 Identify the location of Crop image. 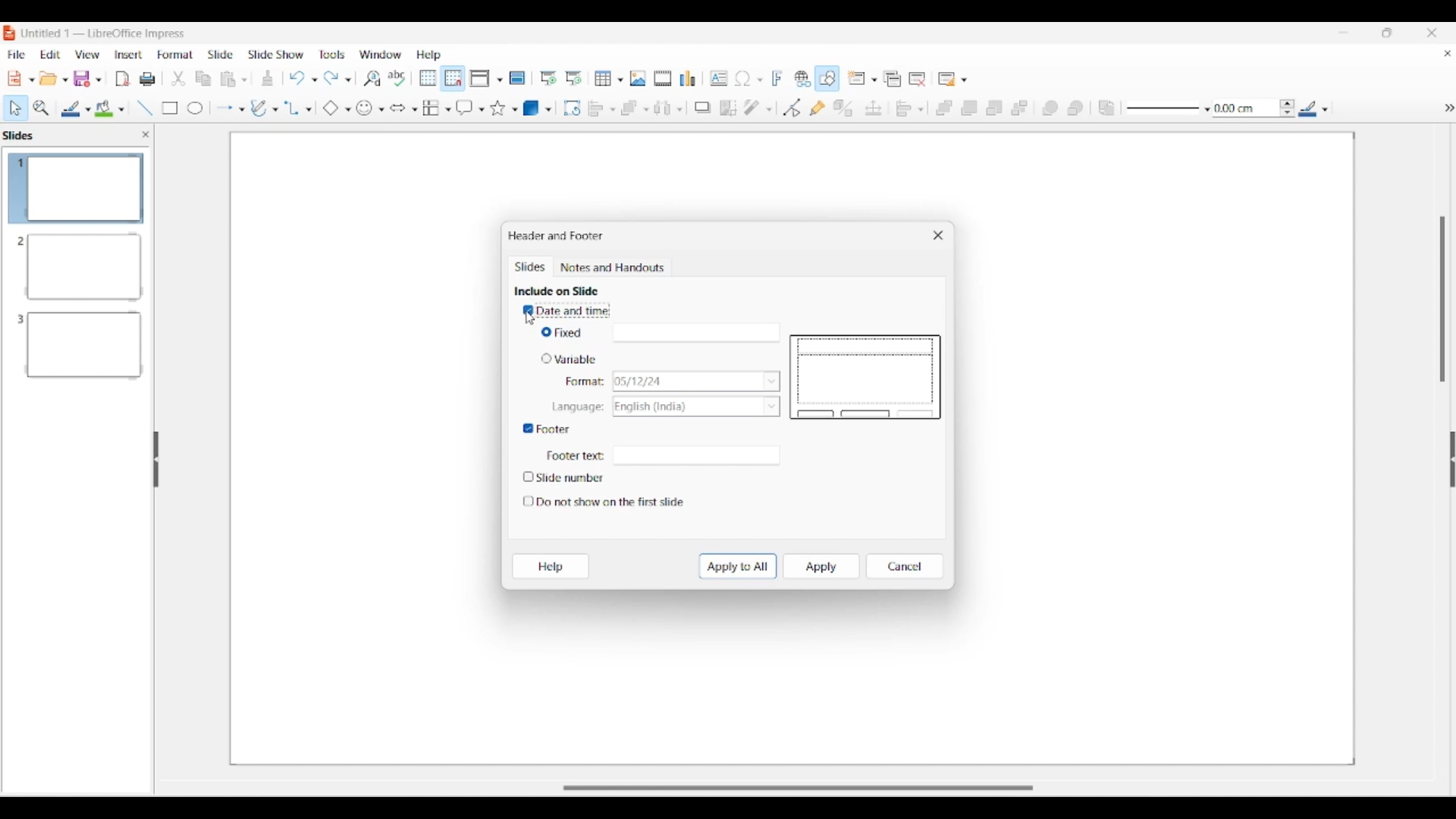
(729, 108).